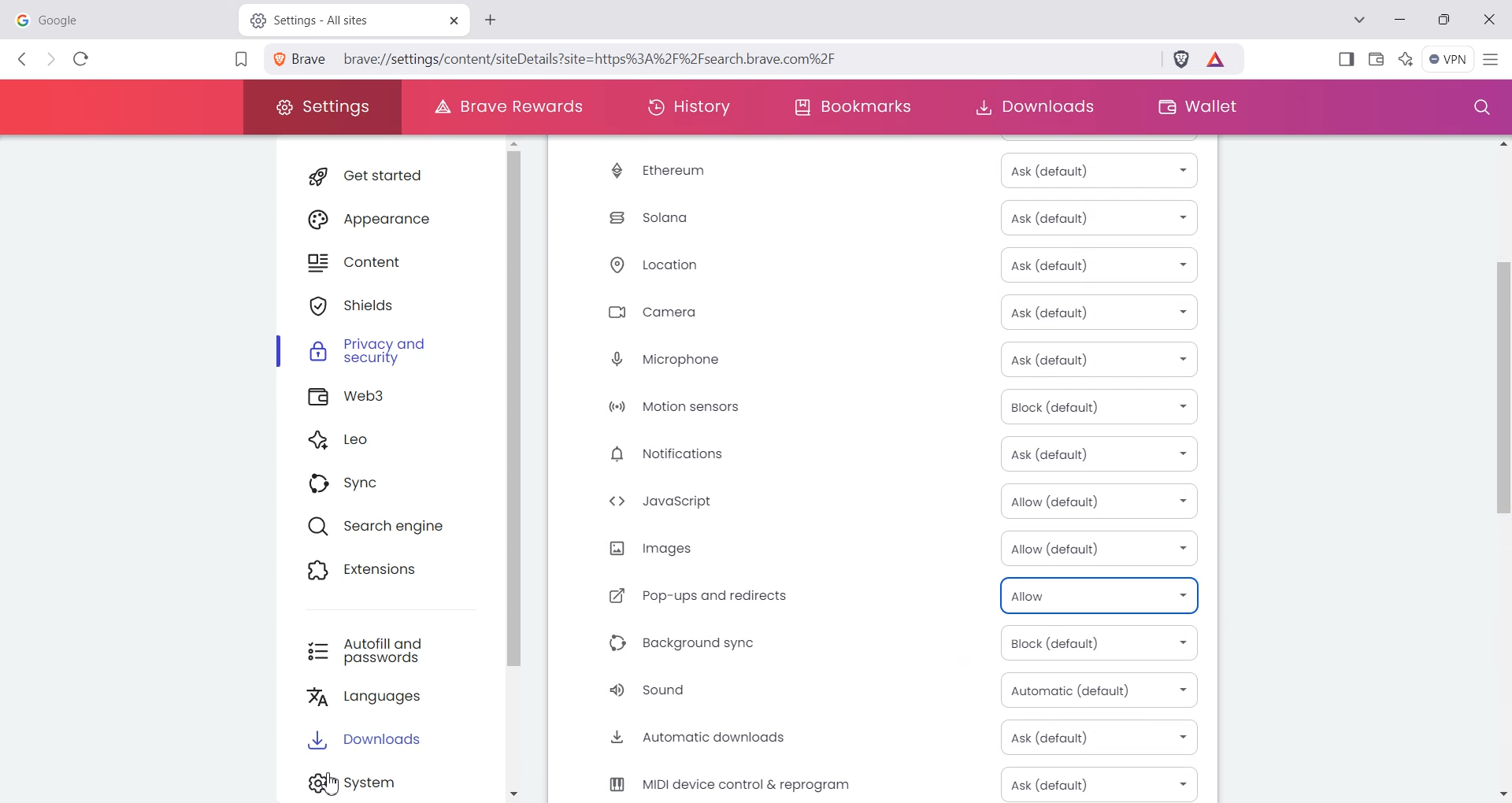  What do you see at coordinates (504, 107) in the screenshot?
I see `Brave Rewards` at bounding box center [504, 107].